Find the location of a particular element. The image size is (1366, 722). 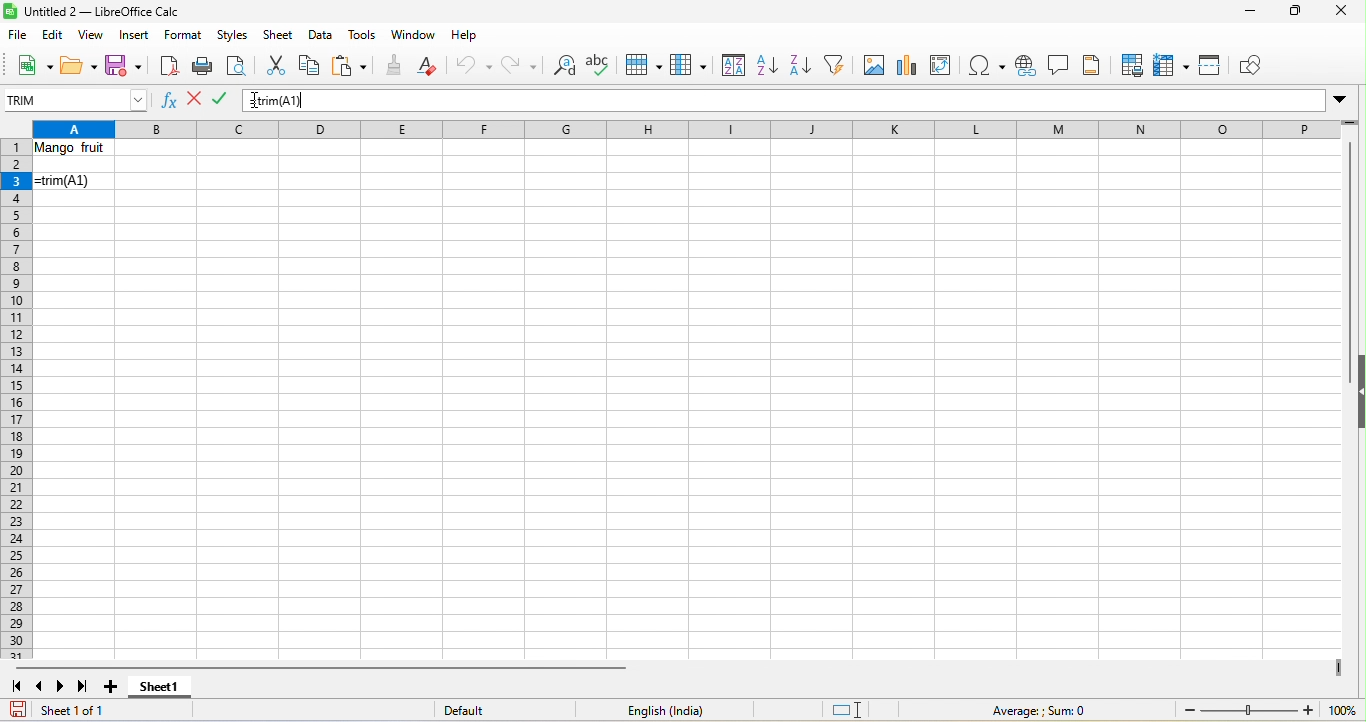

scroll to last sheet is located at coordinates (84, 687).